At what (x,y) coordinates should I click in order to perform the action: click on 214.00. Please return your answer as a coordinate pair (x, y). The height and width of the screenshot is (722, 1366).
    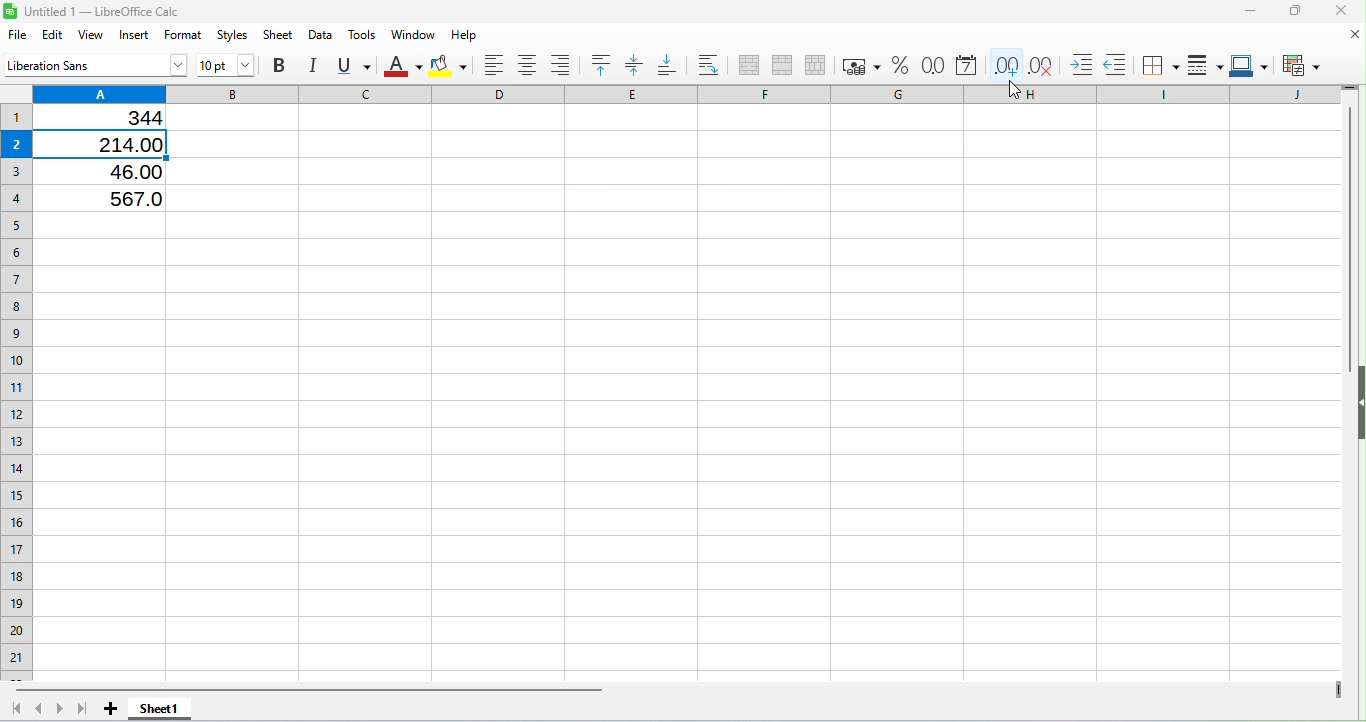
    Looking at the image, I should click on (118, 142).